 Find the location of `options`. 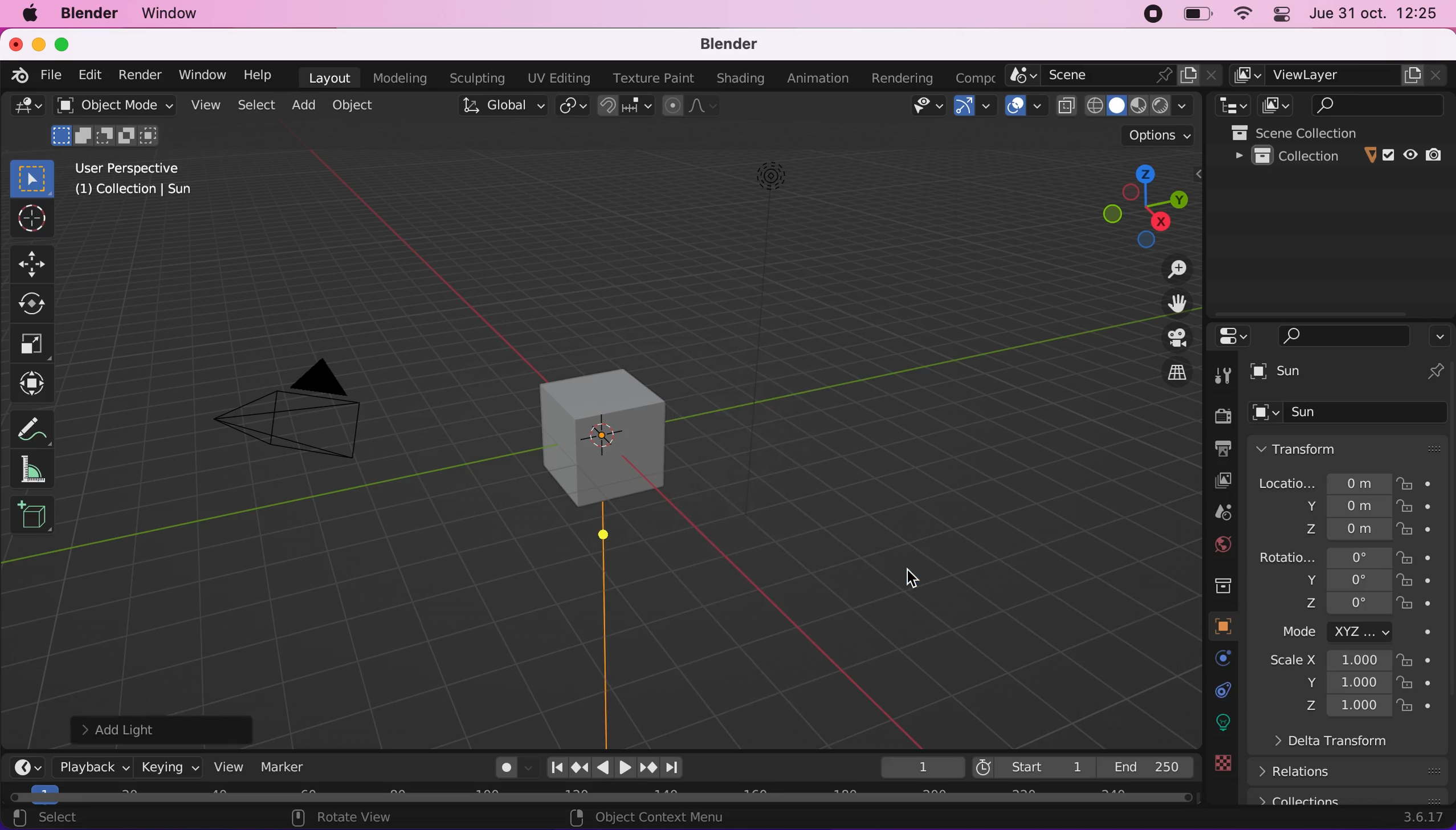

options is located at coordinates (1159, 135).